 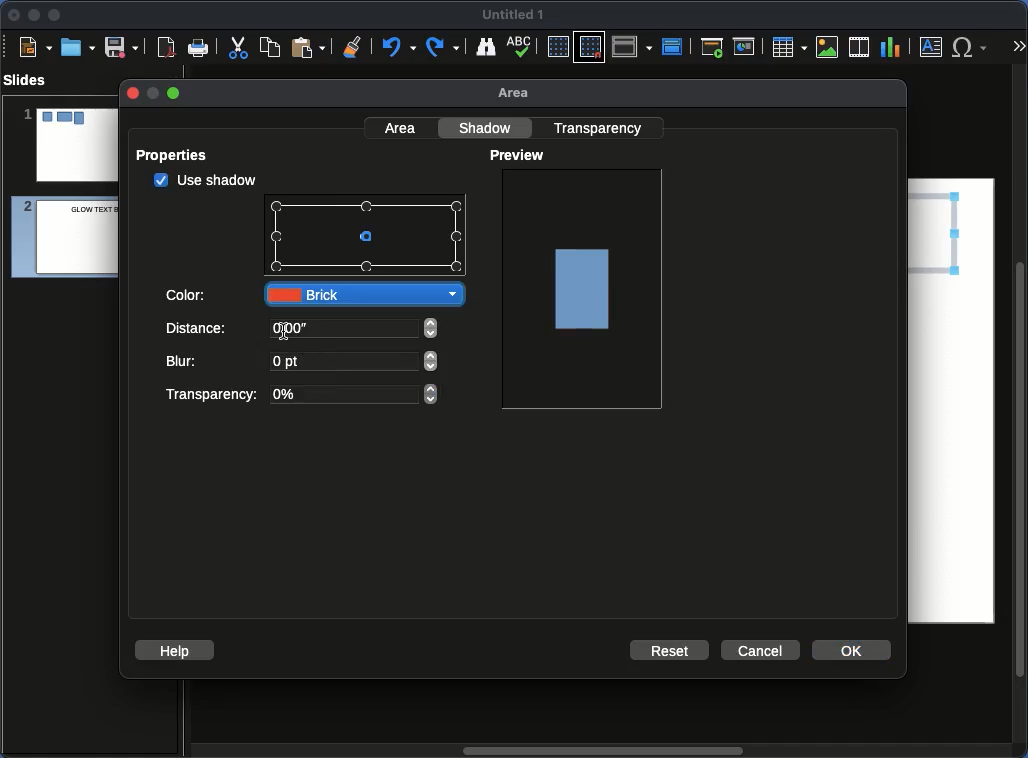 I want to click on Master slide, so click(x=675, y=46).